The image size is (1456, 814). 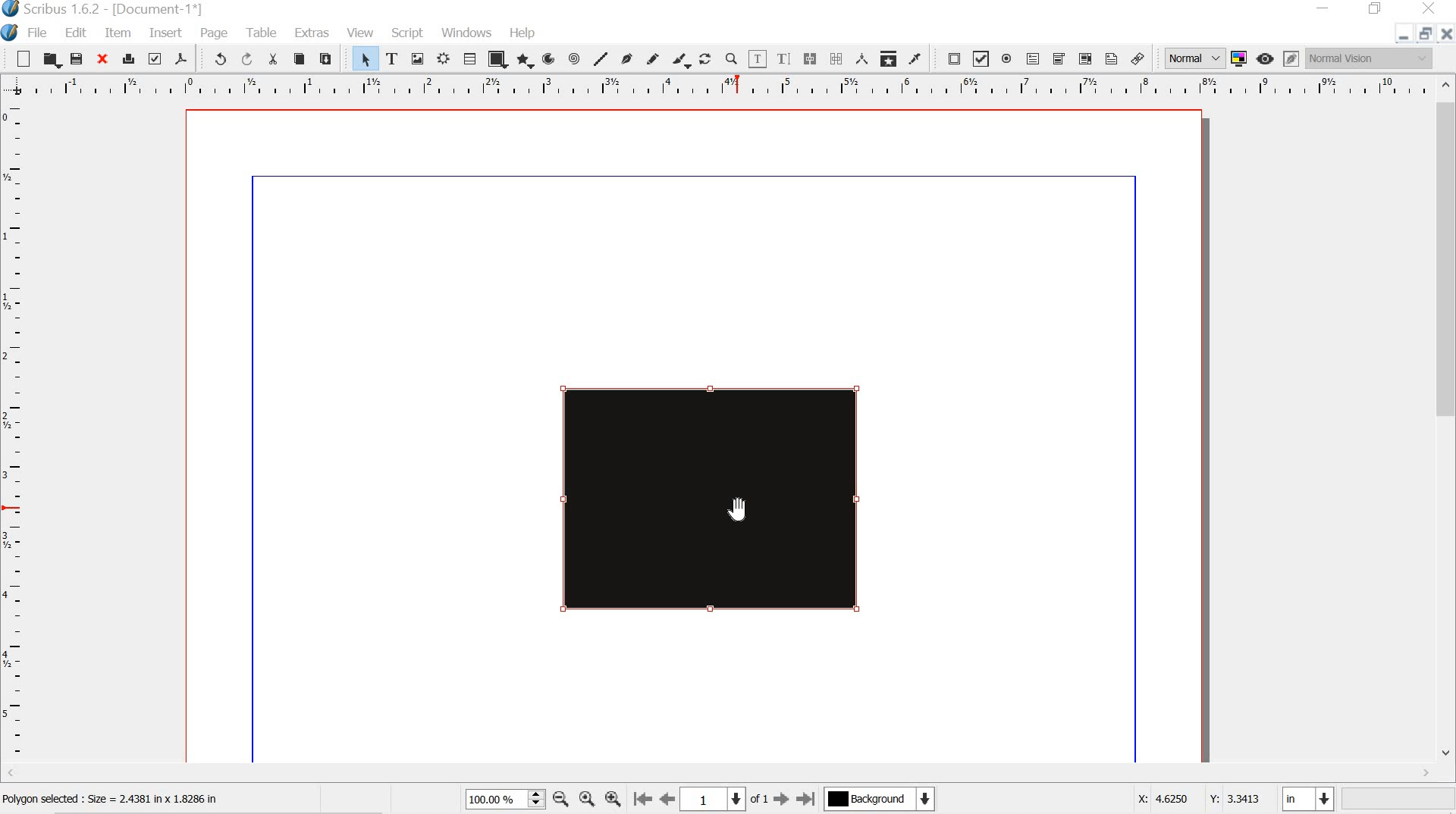 What do you see at coordinates (758, 59) in the screenshot?
I see `edit contents of frame` at bounding box center [758, 59].